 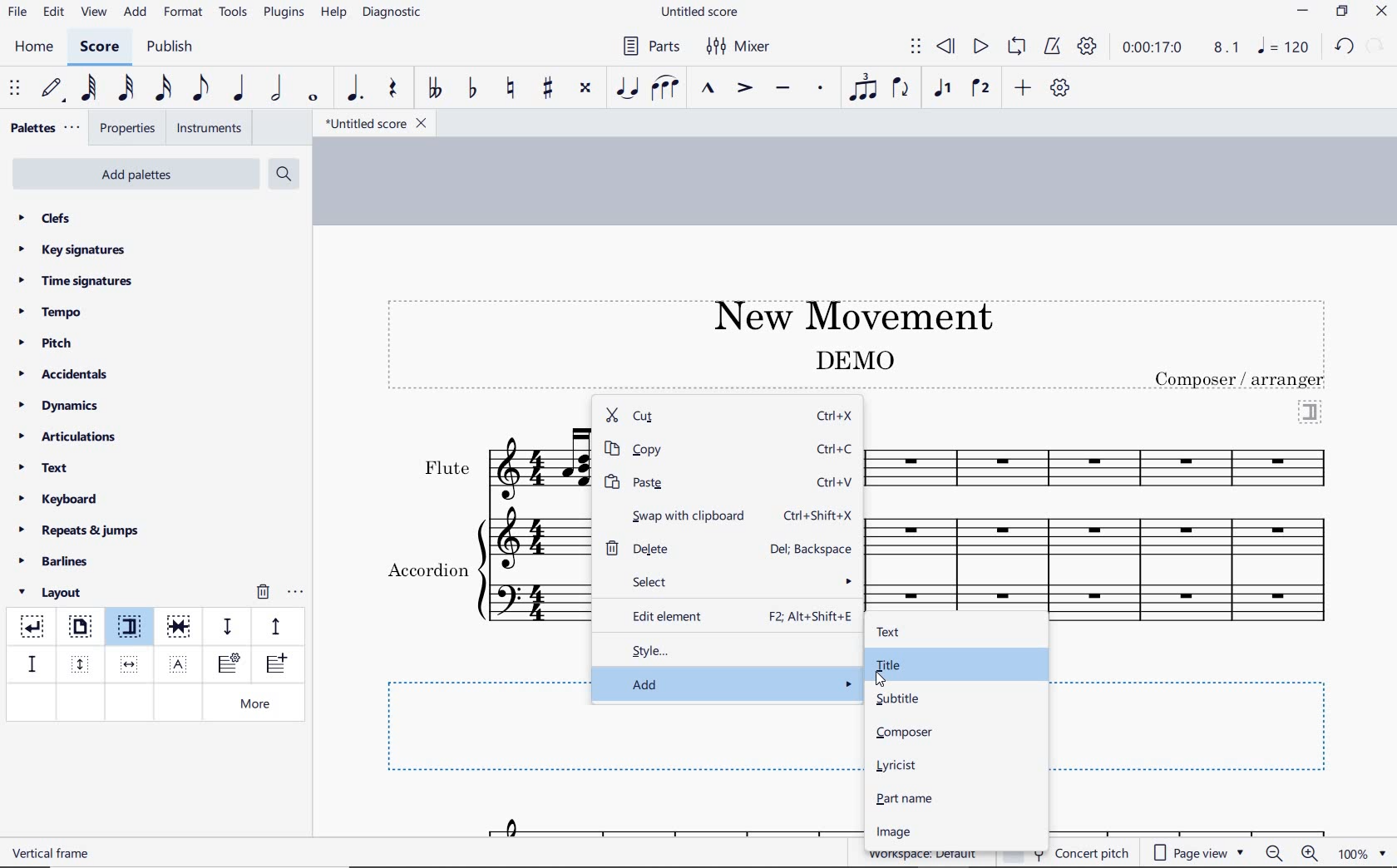 What do you see at coordinates (314, 97) in the screenshot?
I see `whole note` at bounding box center [314, 97].